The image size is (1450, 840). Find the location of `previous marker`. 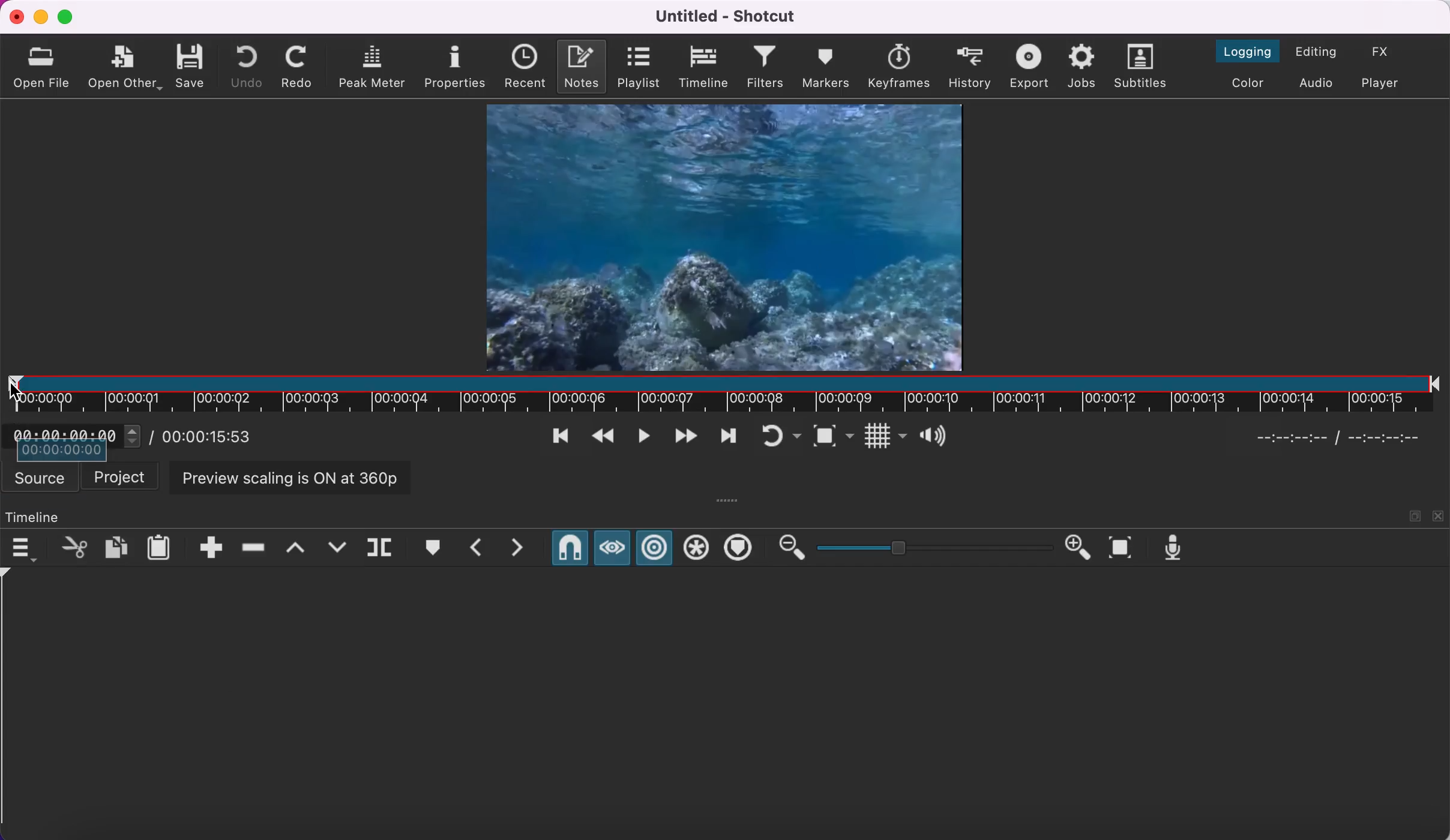

previous marker is located at coordinates (476, 547).